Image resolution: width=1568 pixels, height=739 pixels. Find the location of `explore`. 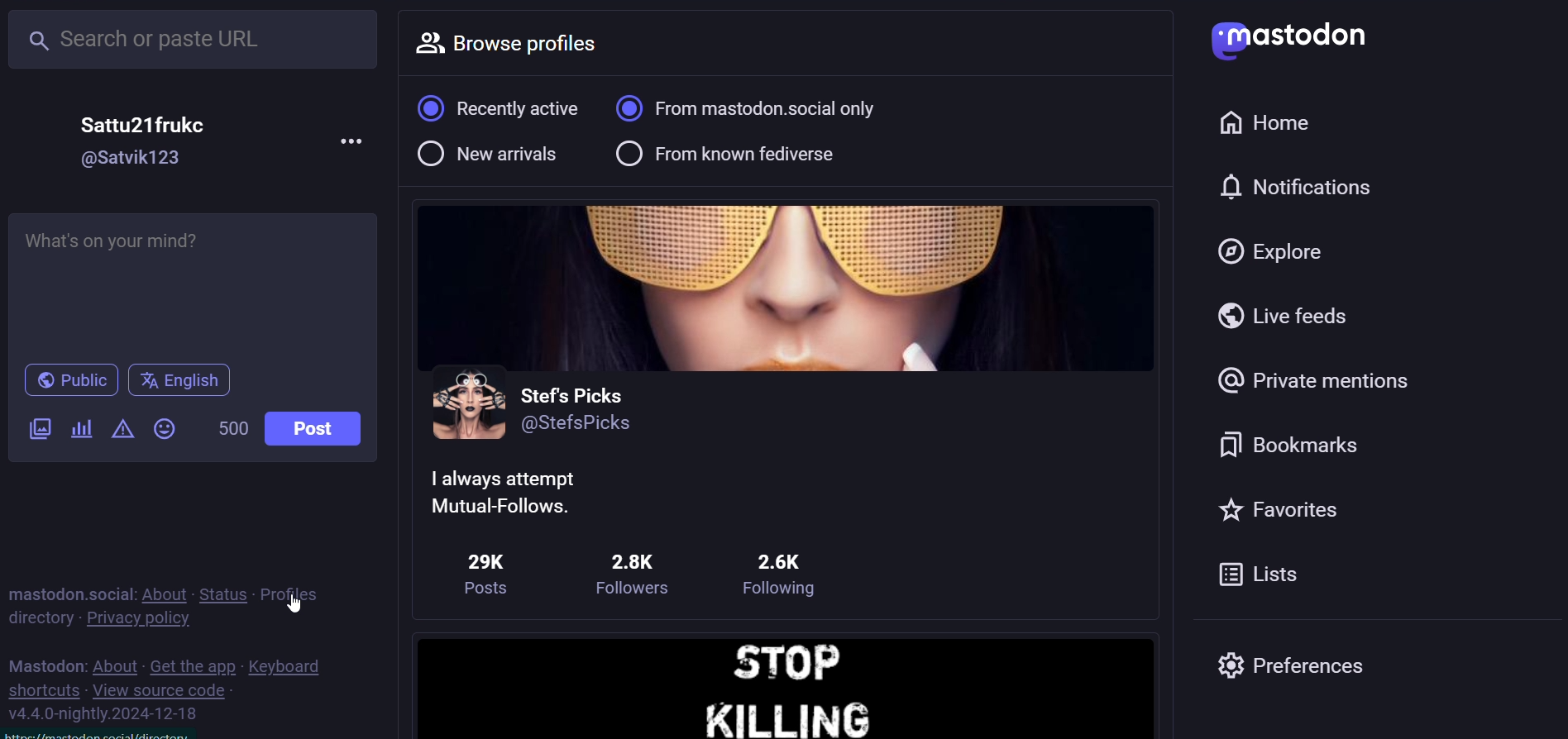

explore is located at coordinates (1275, 250).